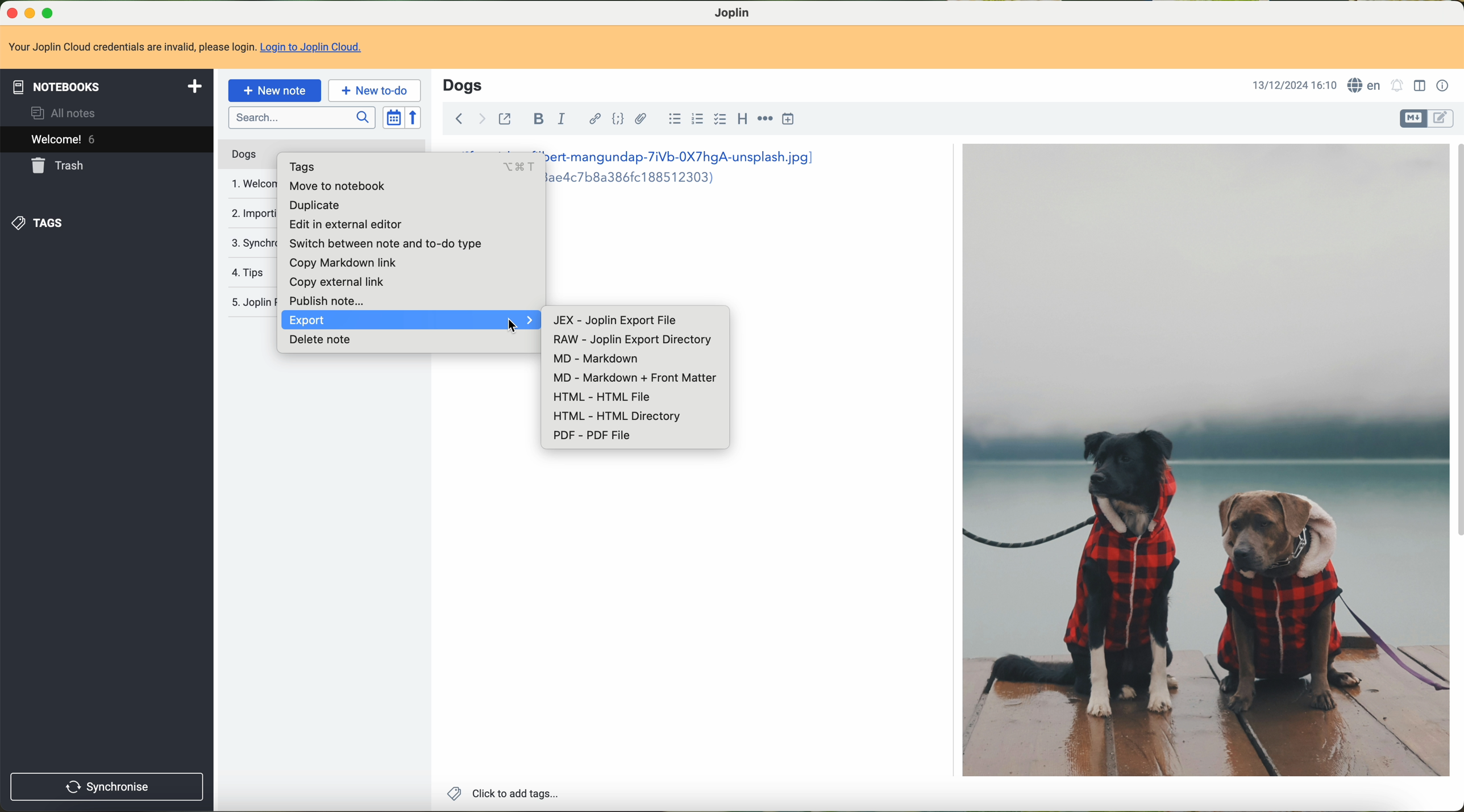 This screenshot has height=812, width=1464. Describe the element at coordinates (107, 141) in the screenshot. I see `welcome` at that location.